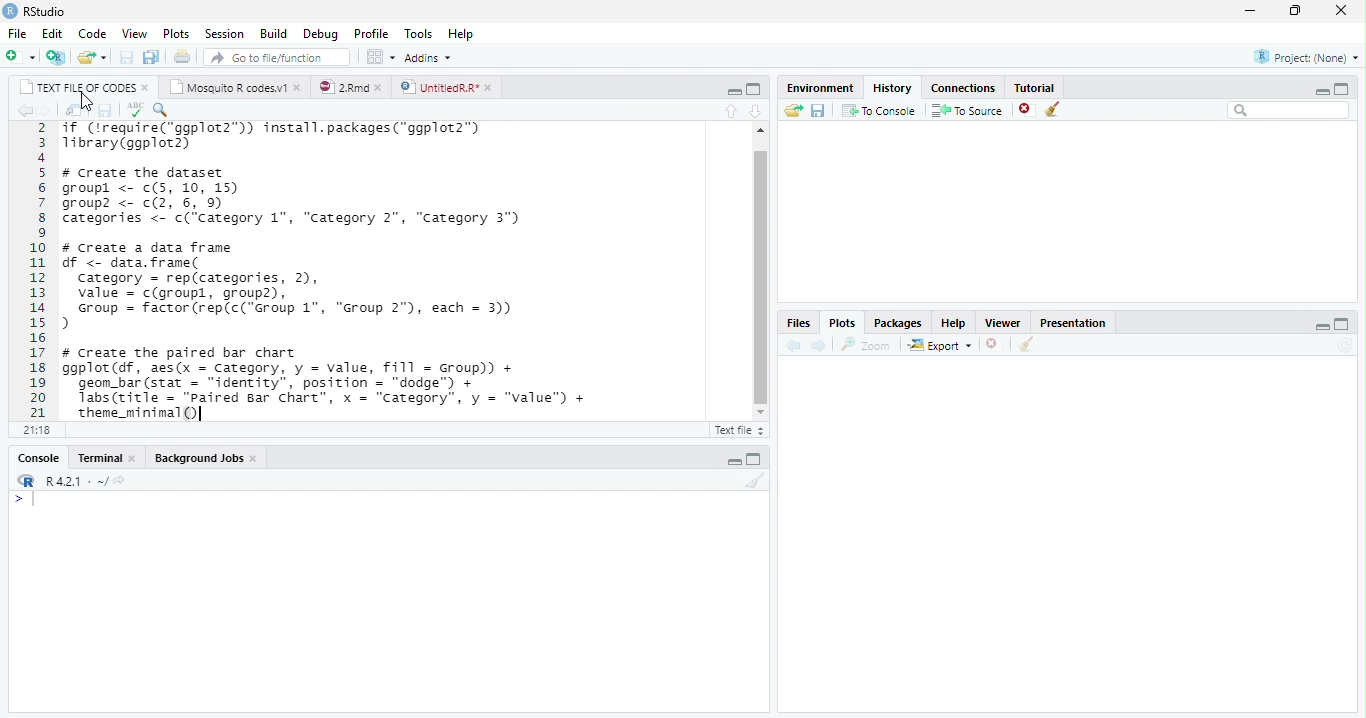 The image size is (1366, 718). I want to click on terminal, so click(98, 458).